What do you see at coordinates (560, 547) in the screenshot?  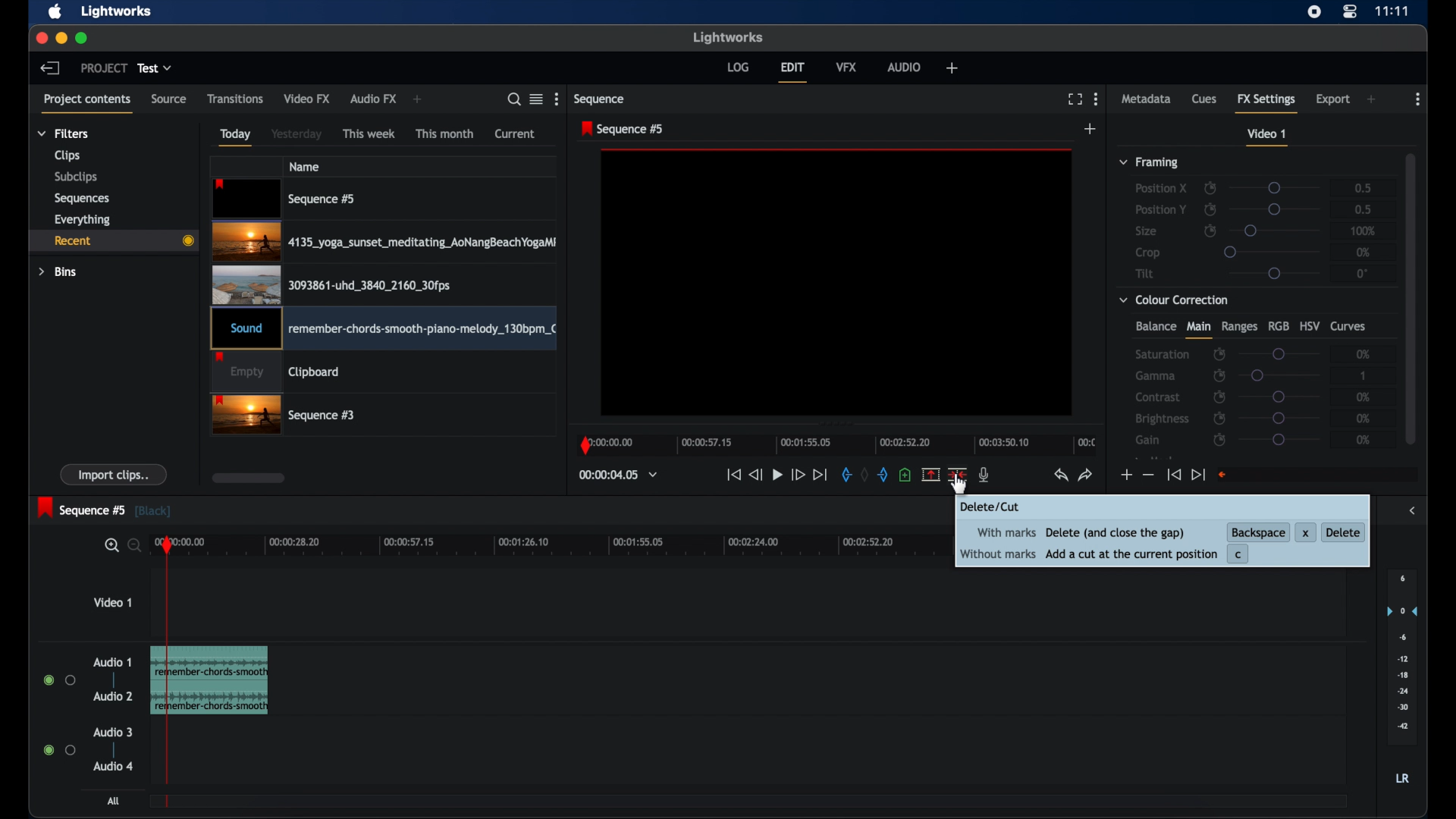 I see `timeline scale` at bounding box center [560, 547].